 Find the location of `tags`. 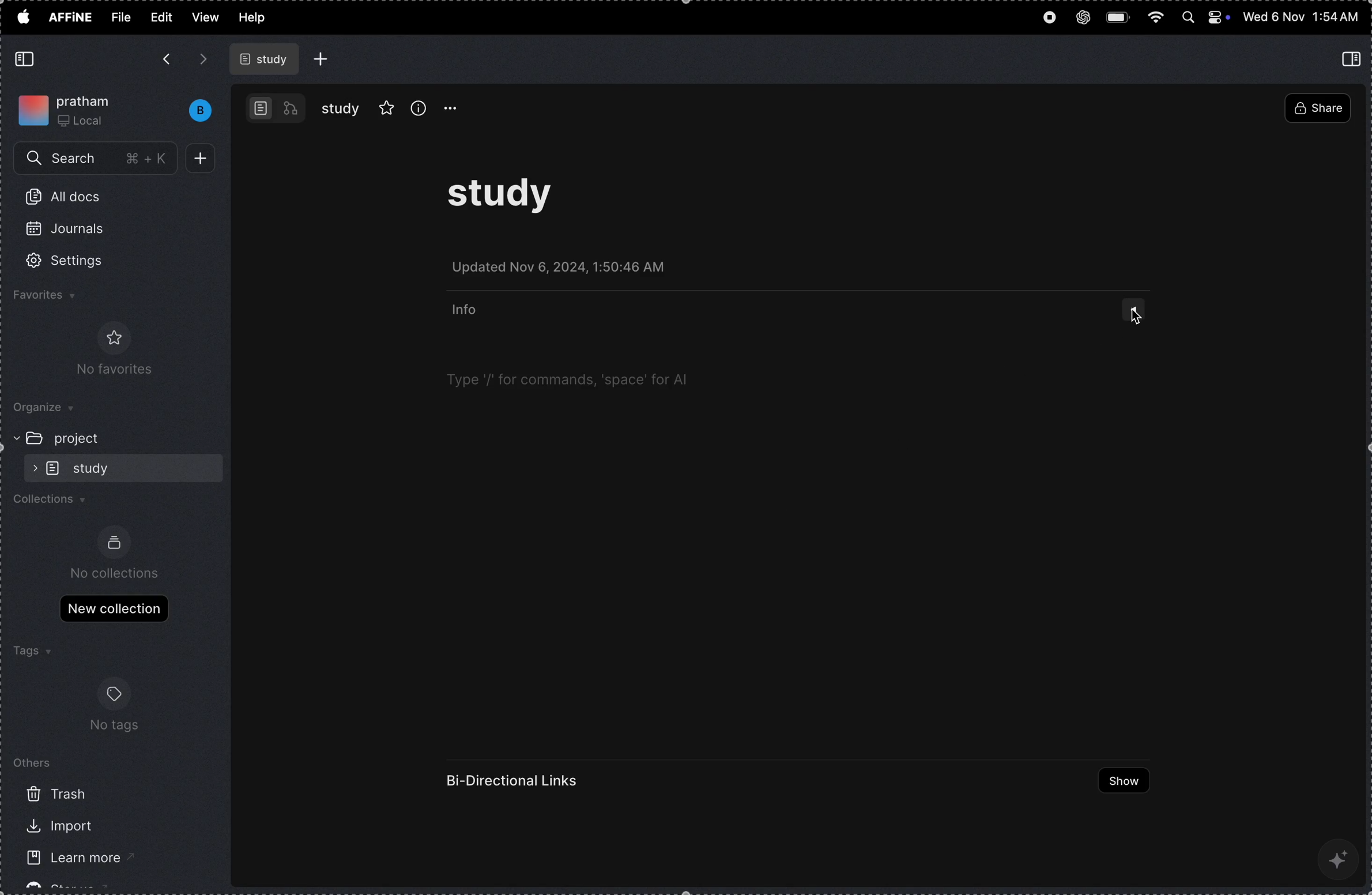

tags is located at coordinates (31, 652).